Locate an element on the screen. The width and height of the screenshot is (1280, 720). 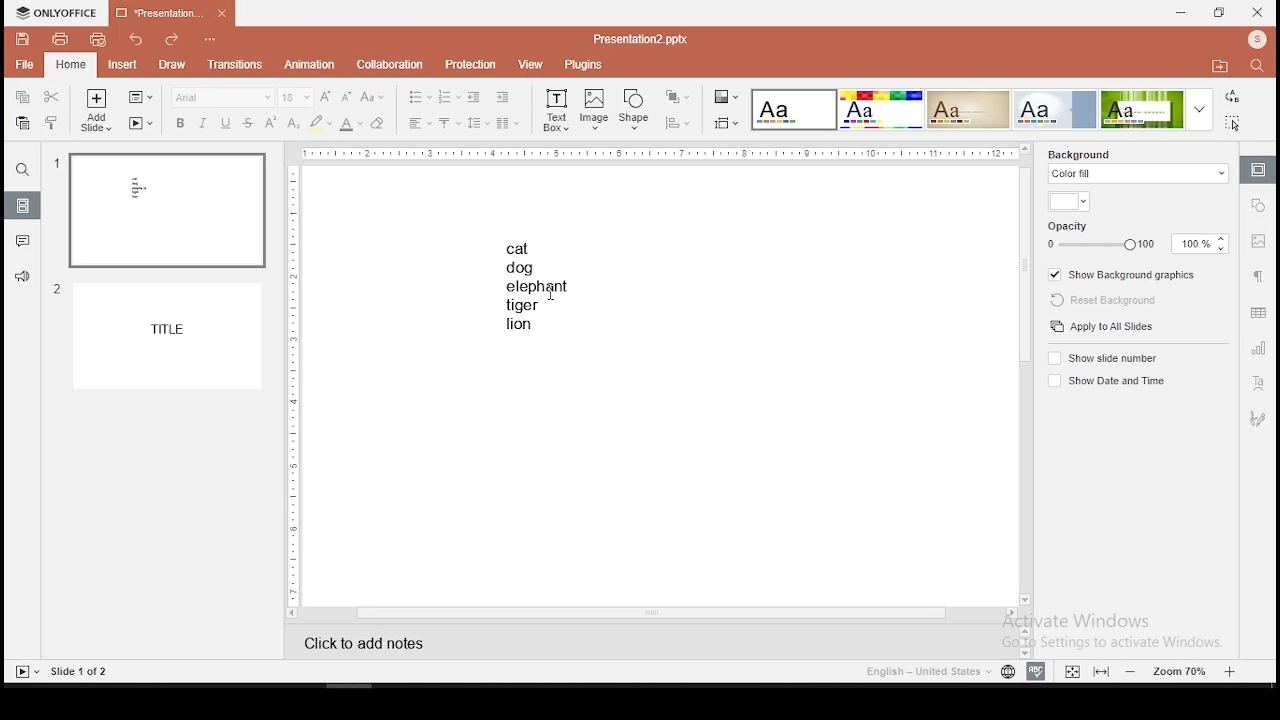
spacing is located at coordinates (478, 123).